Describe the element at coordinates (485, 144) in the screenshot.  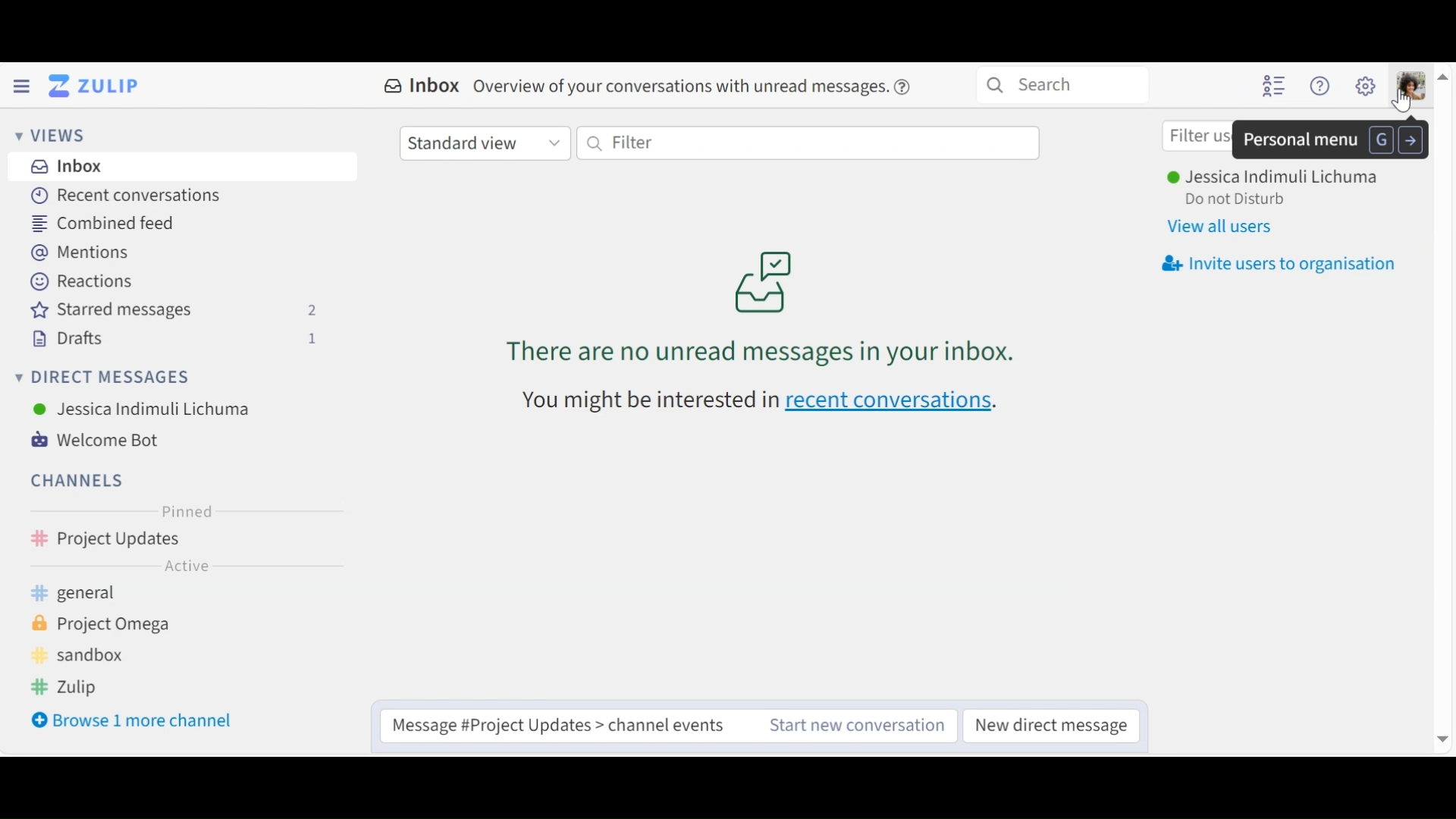
I see `Standard view` at that location.